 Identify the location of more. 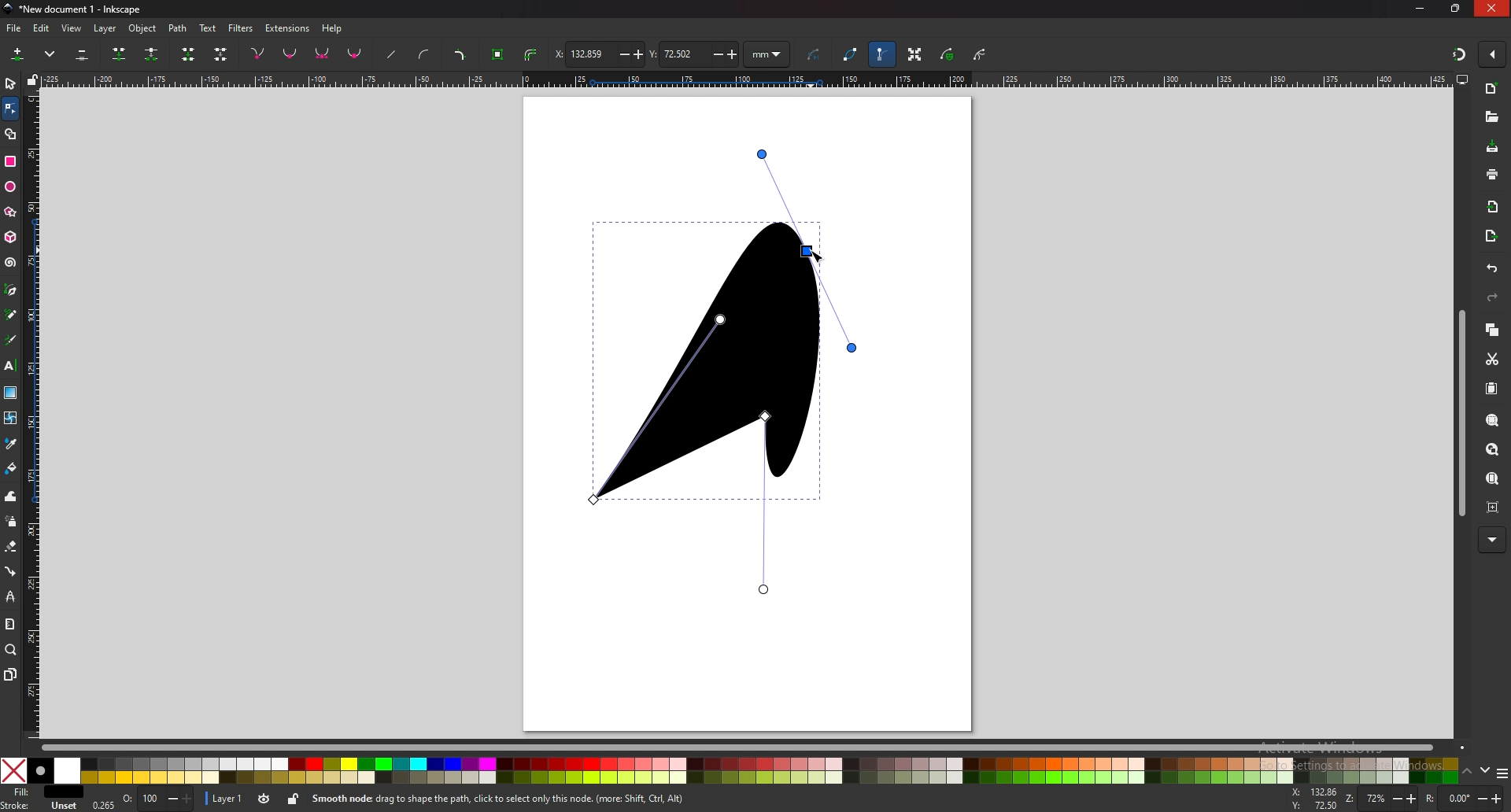
(1492, 539).